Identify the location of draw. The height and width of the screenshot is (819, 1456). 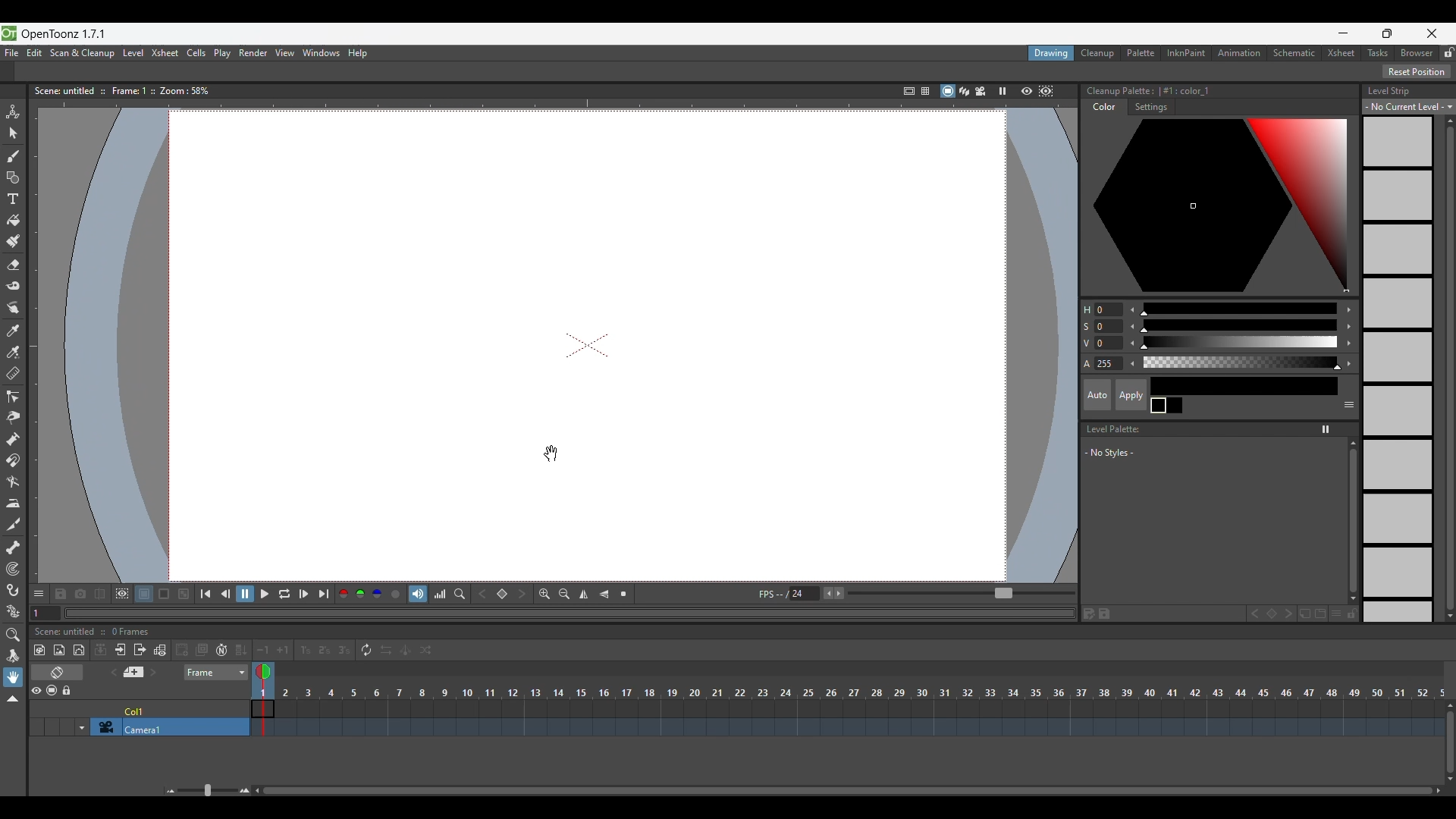
(557, 347).